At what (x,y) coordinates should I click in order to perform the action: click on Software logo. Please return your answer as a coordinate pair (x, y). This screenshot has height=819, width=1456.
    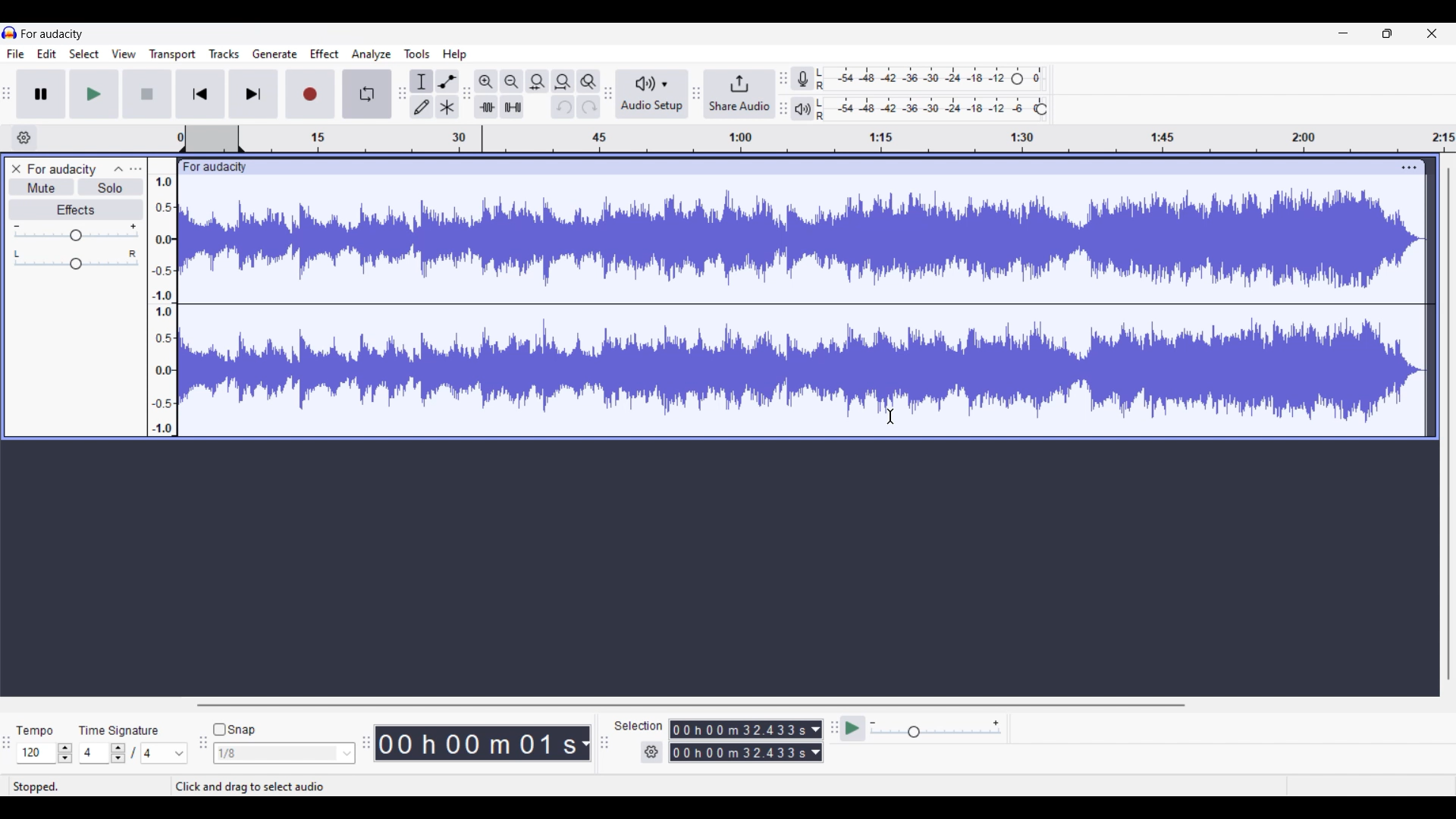
    Looking at the image, I should click on (10, 33).